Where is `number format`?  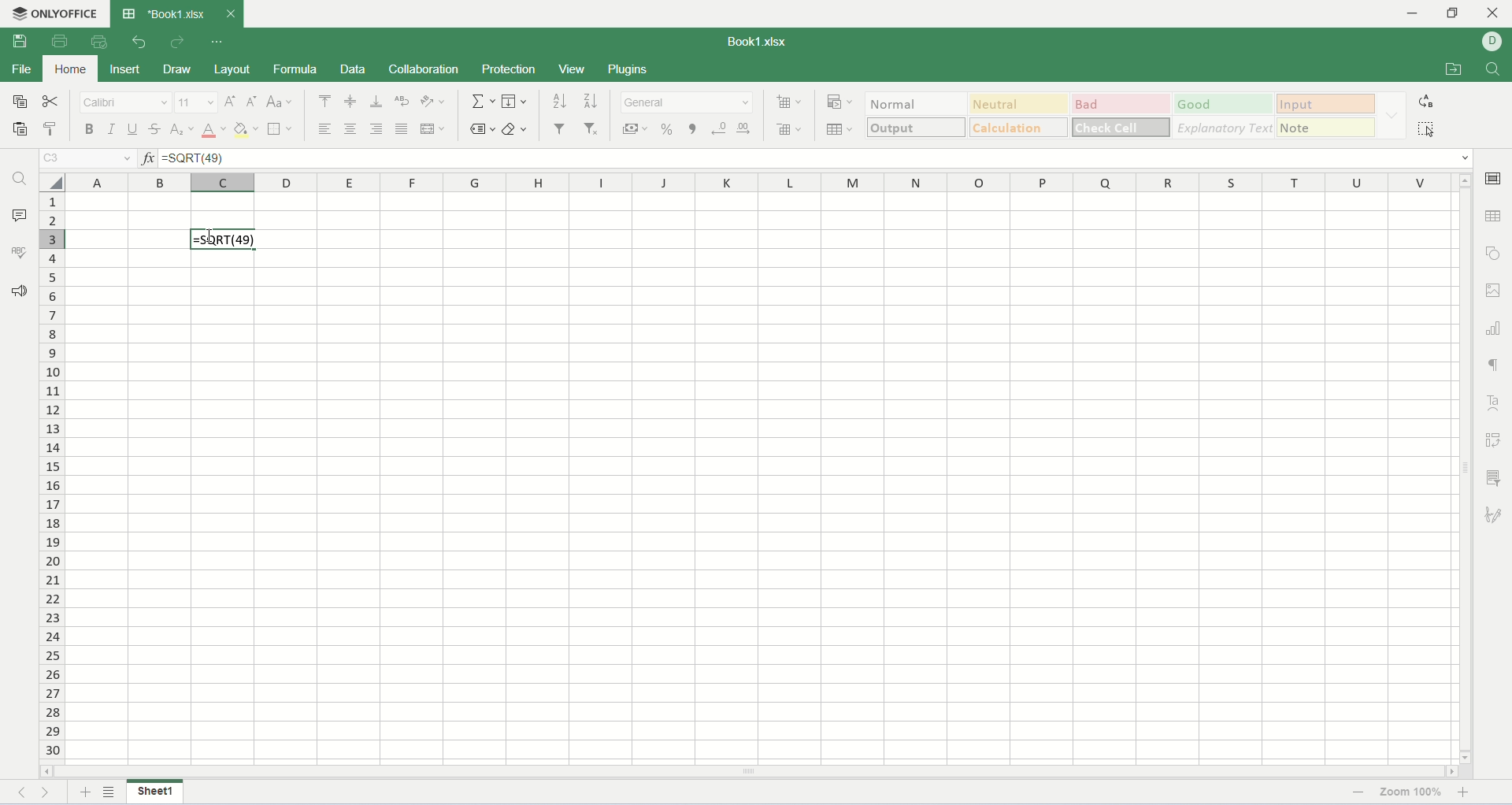 number format is located at coordinates (689, 103).